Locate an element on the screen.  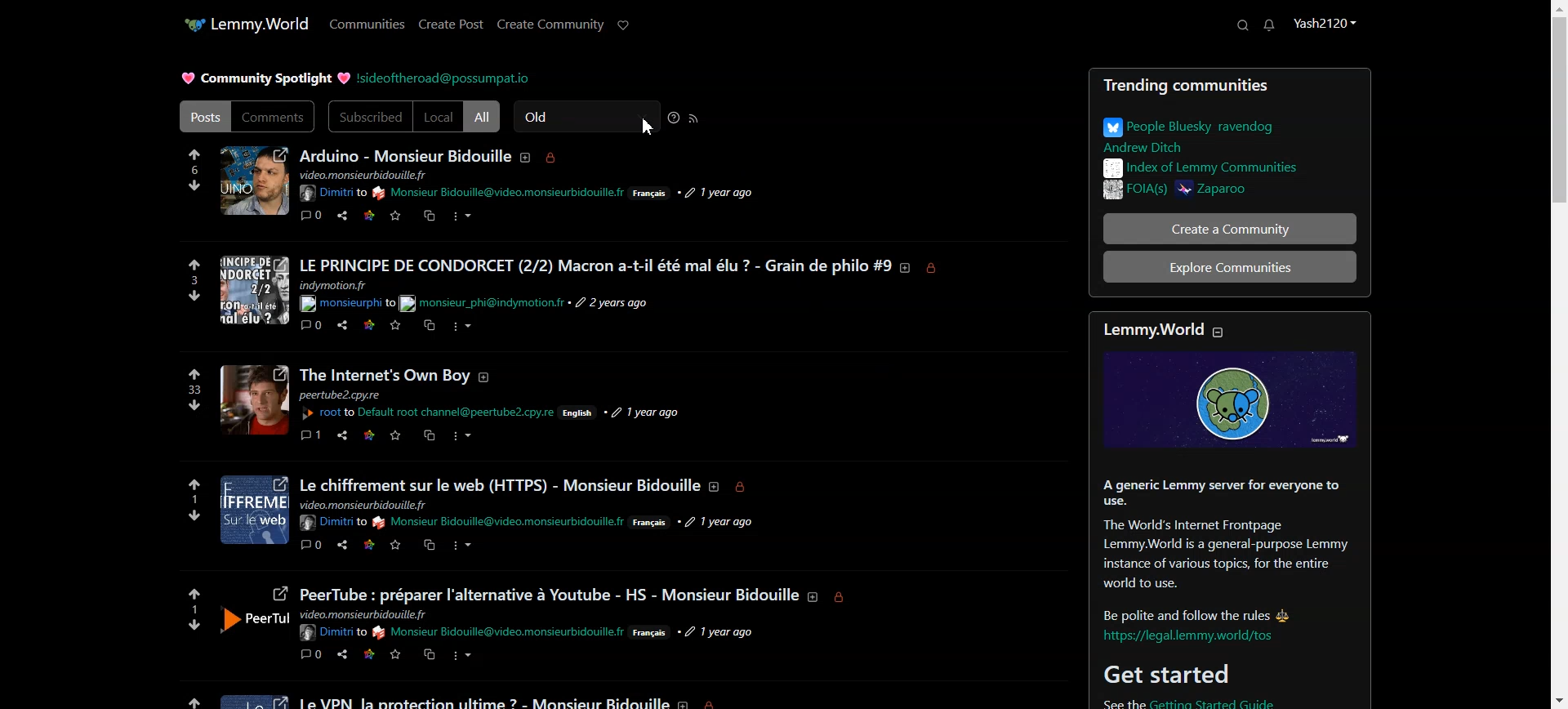
Profile Picture is located at coordinates (253, 180).